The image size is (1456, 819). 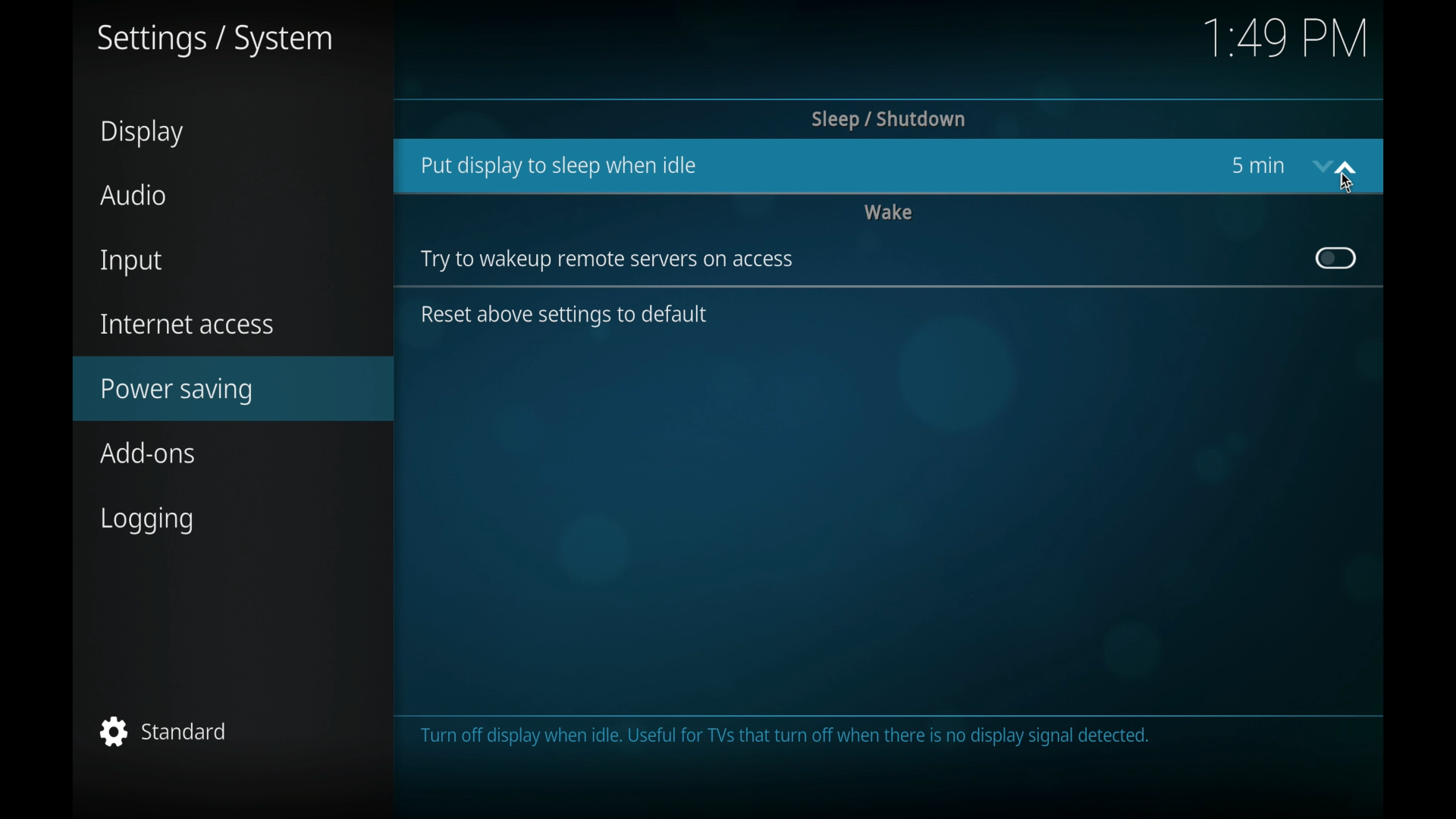 I want to click on logging, so click(x=146, y=521).